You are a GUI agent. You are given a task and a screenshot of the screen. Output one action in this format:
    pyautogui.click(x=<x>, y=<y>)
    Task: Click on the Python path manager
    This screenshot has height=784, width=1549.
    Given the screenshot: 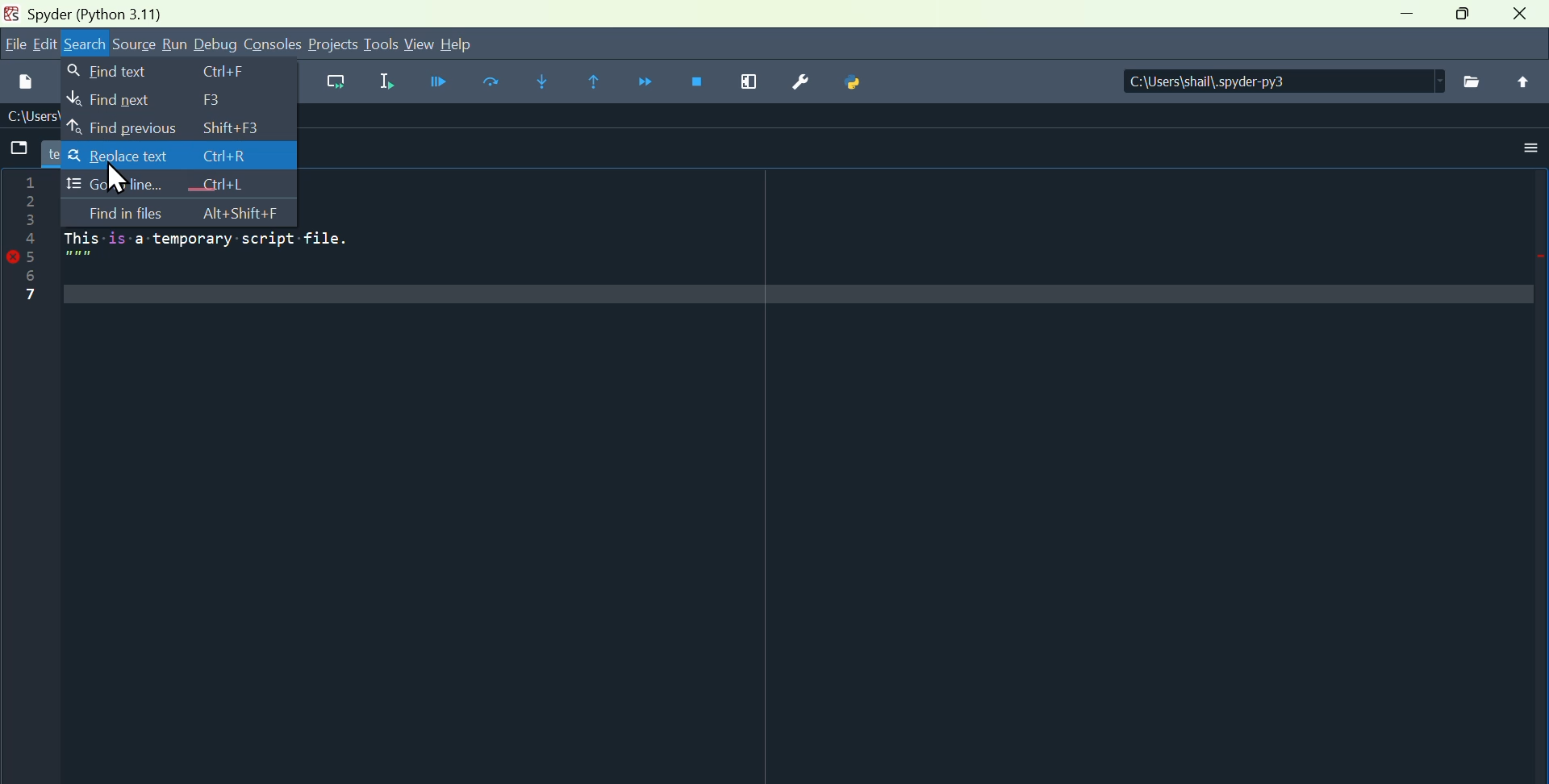 What is the action you would take?
    pyautogui.click(x=852, y=83)
    